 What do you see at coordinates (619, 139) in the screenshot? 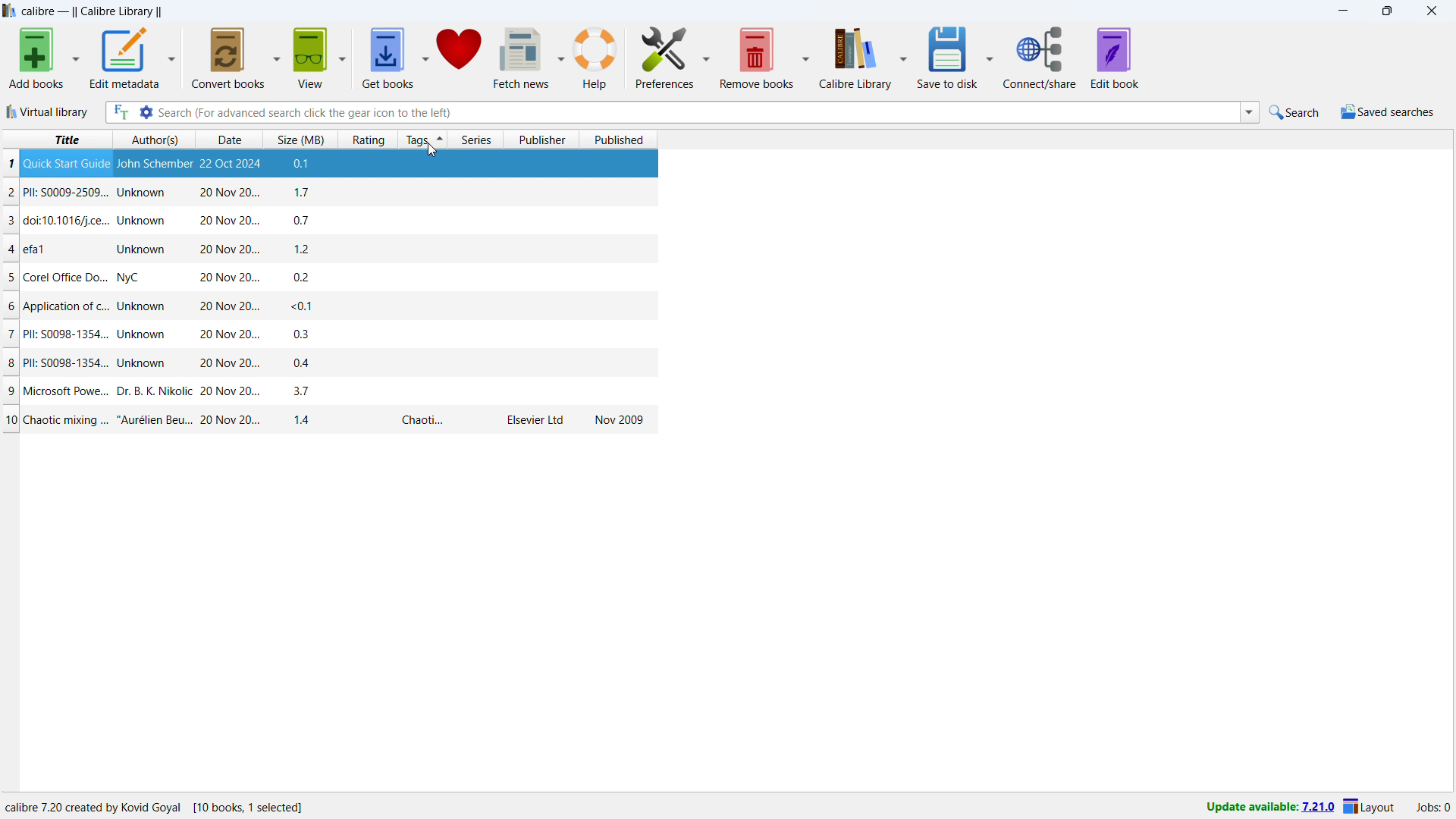
I see `sort by published` at bounding box center [619, 139].